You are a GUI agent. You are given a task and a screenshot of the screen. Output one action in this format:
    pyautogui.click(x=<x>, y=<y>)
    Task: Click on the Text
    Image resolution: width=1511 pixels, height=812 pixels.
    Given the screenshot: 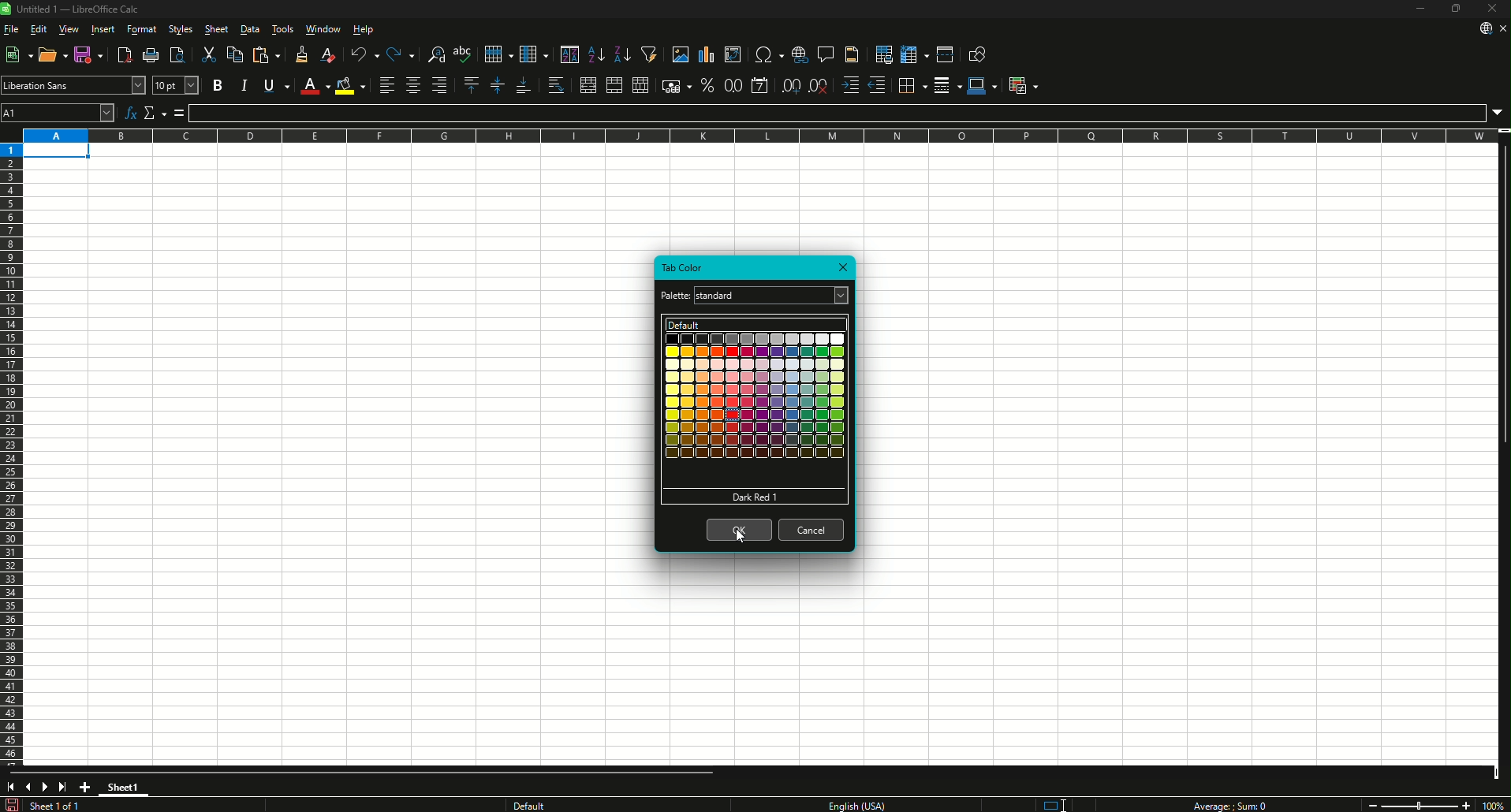 What is the action you would take?
    pyautogui.click(x=580, y=804)
    